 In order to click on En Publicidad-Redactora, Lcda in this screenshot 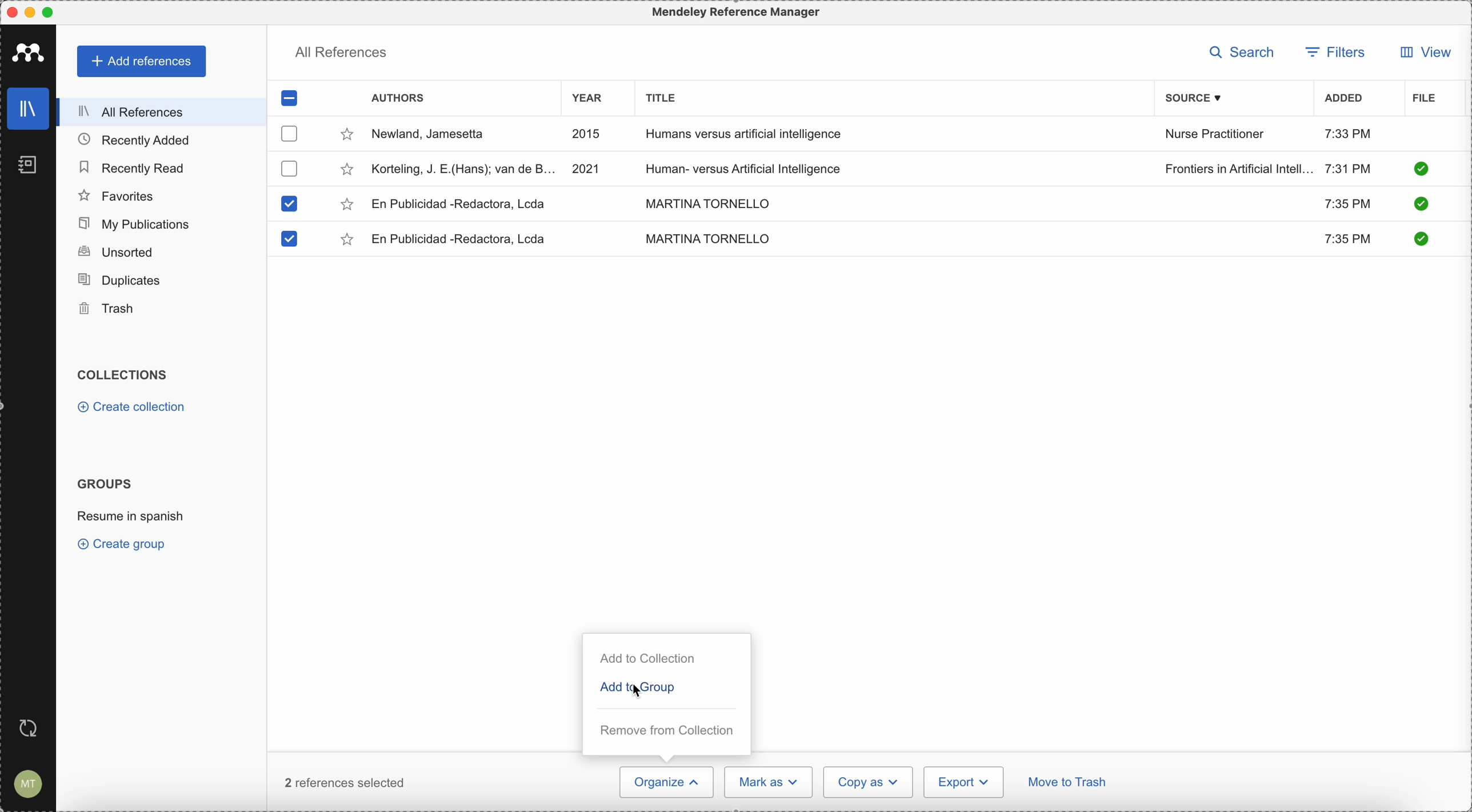, I will do `click(459, 204)`.